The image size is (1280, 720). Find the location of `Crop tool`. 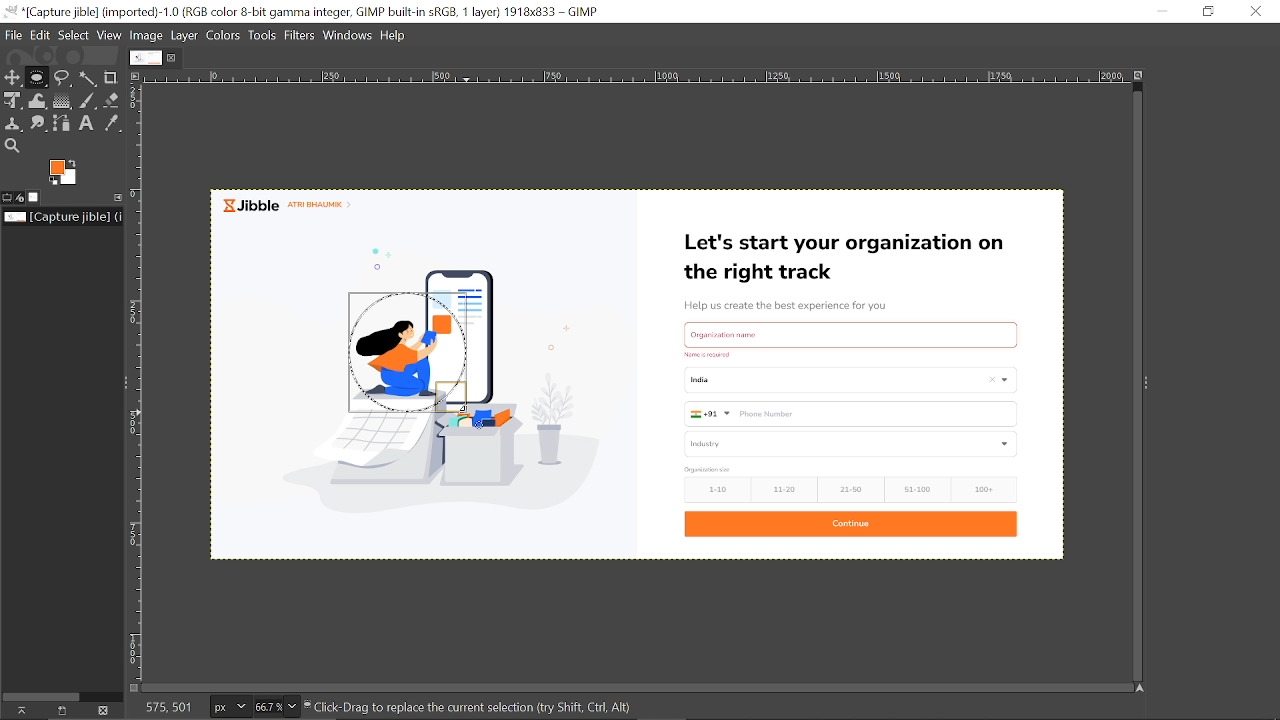

Crop tool is located at coordinates (112, 77).